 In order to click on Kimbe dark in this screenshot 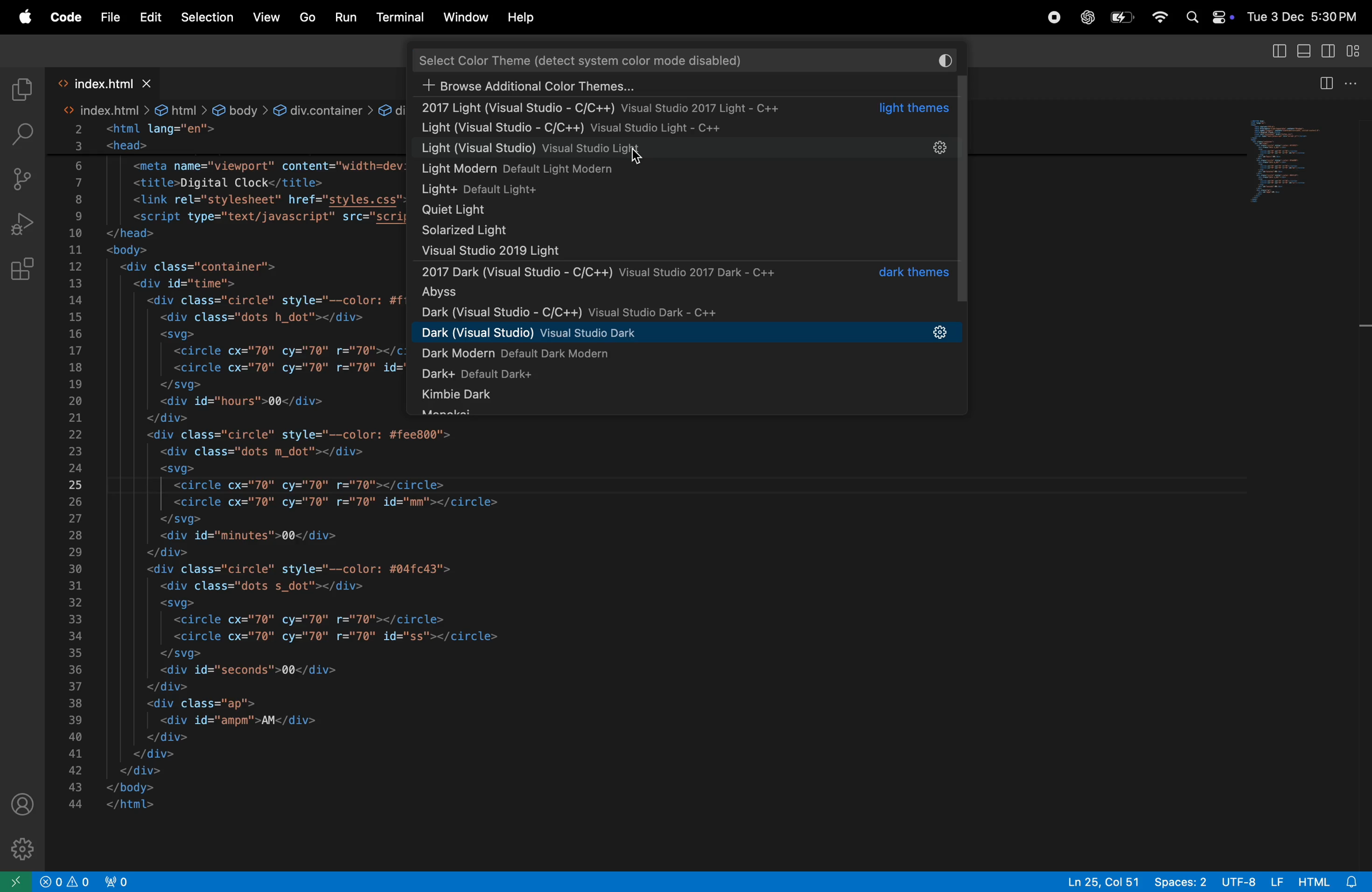, I will do `click(509, 397)`.